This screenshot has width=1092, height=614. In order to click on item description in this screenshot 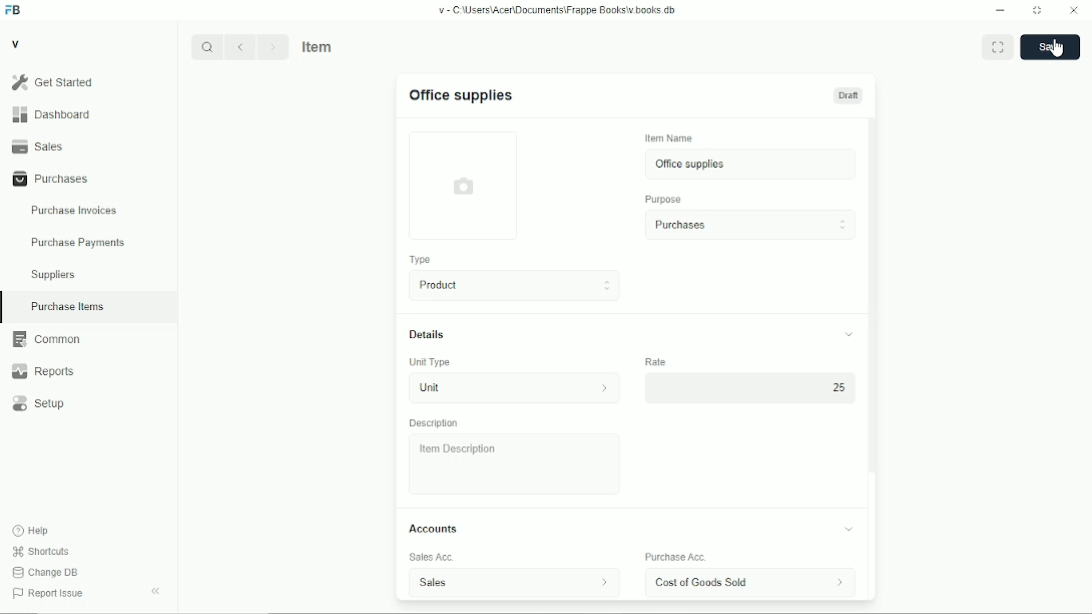, I will do `click(515, 464)`.